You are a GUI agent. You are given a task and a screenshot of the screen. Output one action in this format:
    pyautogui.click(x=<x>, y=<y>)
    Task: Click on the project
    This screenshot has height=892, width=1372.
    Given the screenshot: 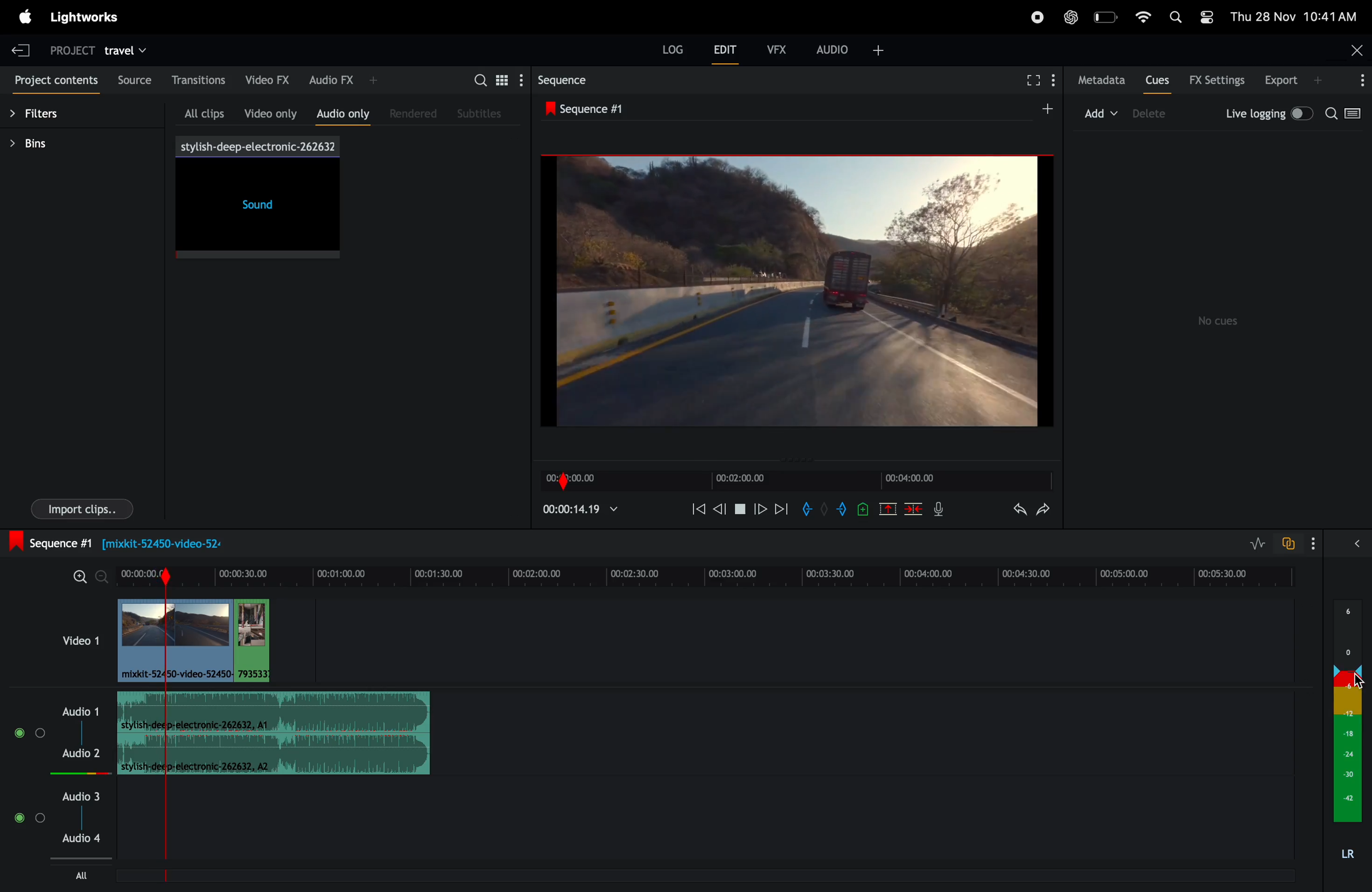 What is the action you would take?
    pyautogui.click(x=71, y=51)
    